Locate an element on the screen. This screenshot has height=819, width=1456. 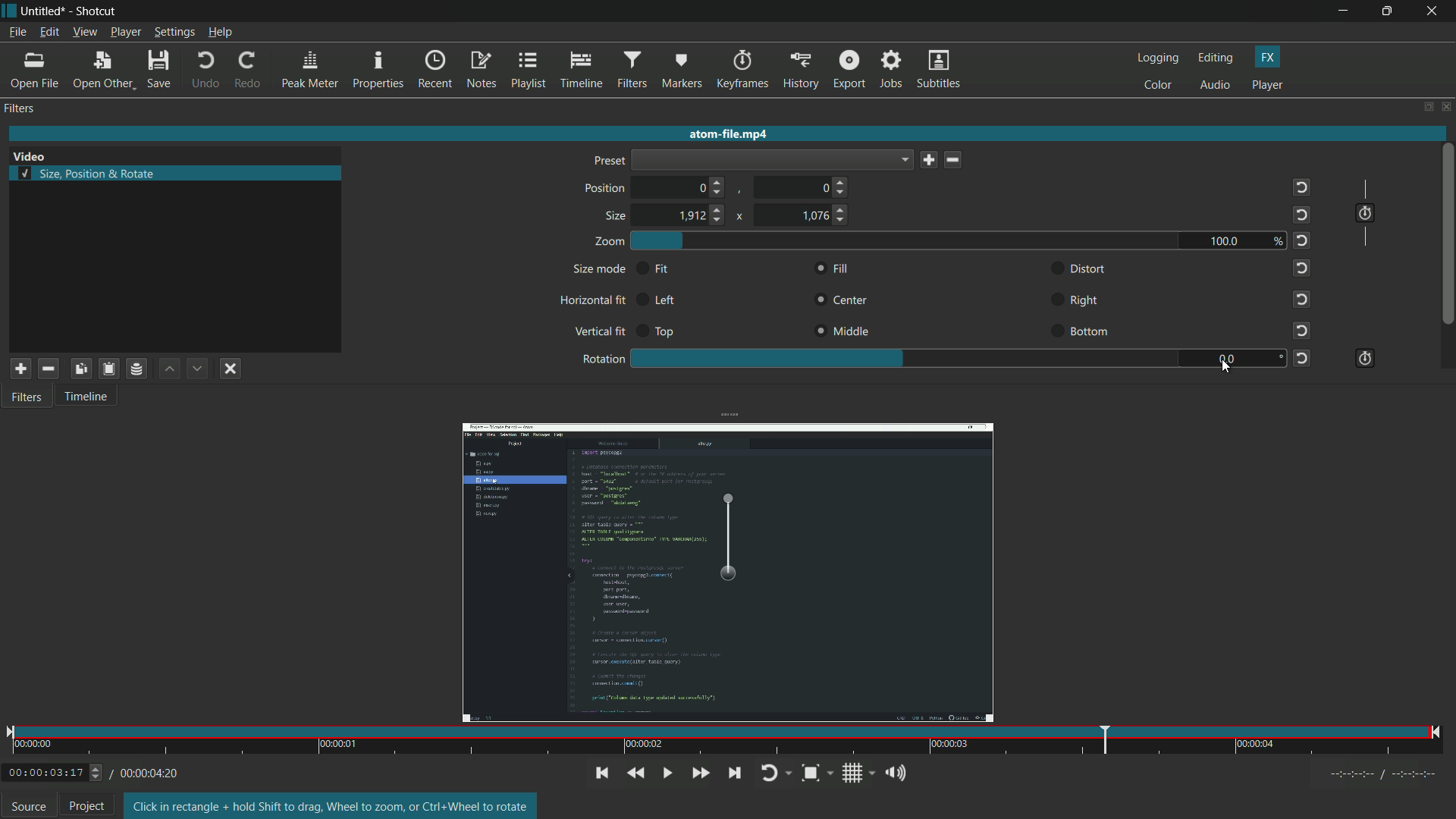
redo is located at coordinates (248, 71).